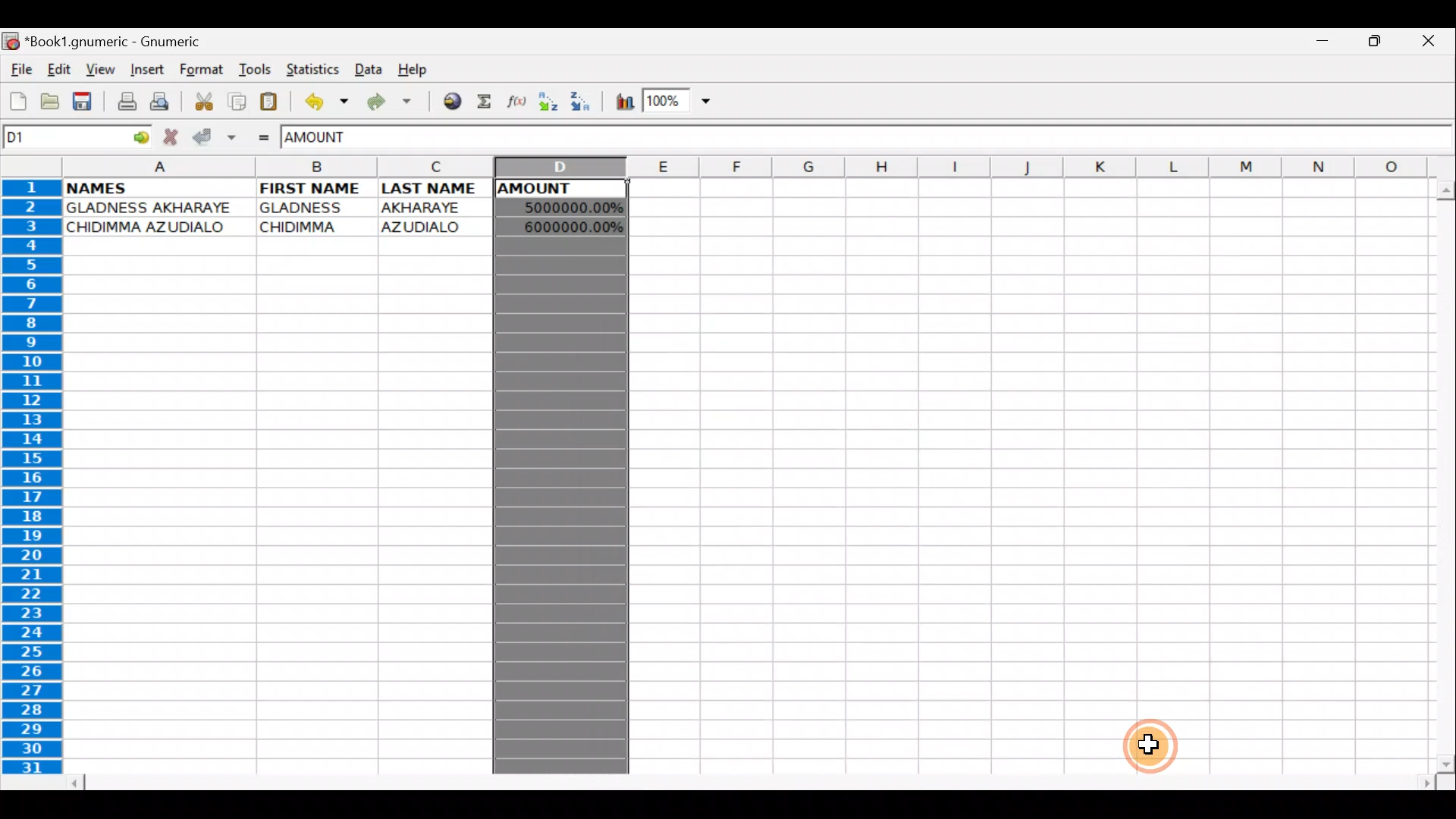 This screenshot has height=819, width=1456. What do you see at coordinates (423, 207) in the screenshot?
I see `AKHARAYE` at bounding box center [423, 207].